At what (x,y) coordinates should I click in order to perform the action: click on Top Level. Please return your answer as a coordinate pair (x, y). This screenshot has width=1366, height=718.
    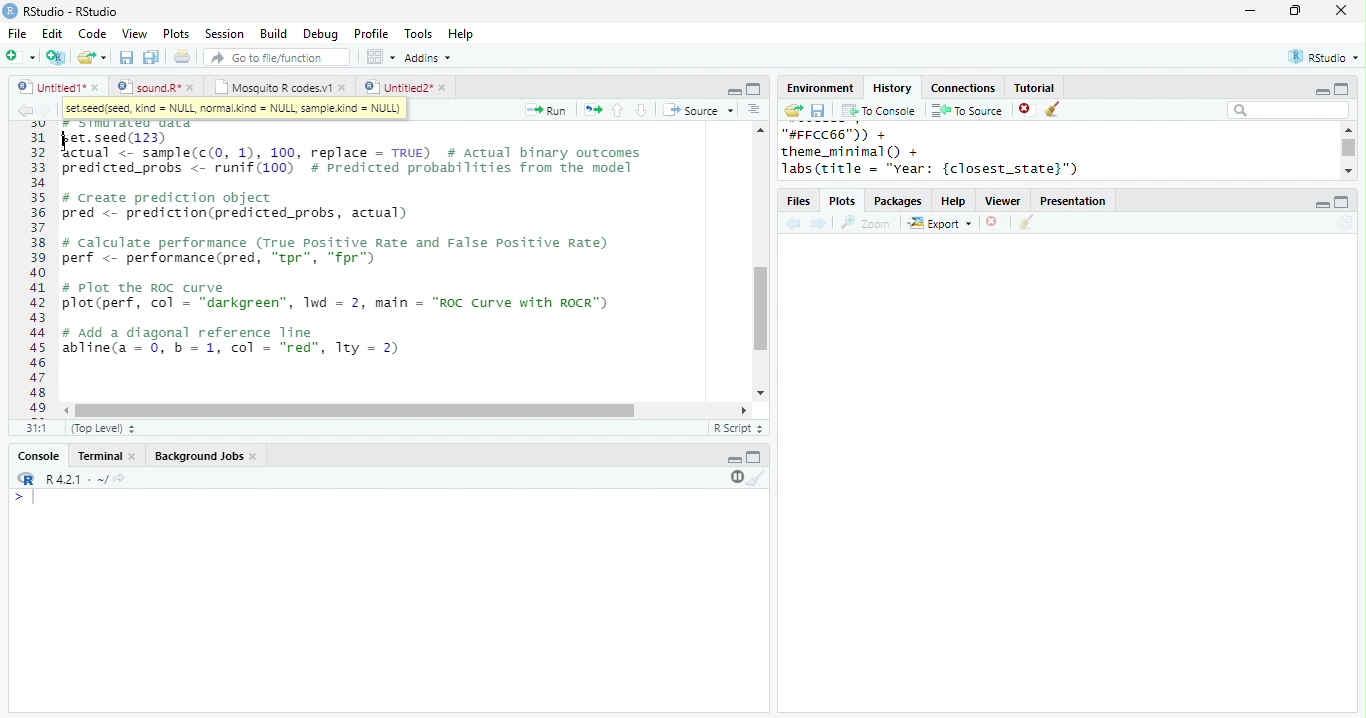
    Looking at the image, I should click on (105, 428).